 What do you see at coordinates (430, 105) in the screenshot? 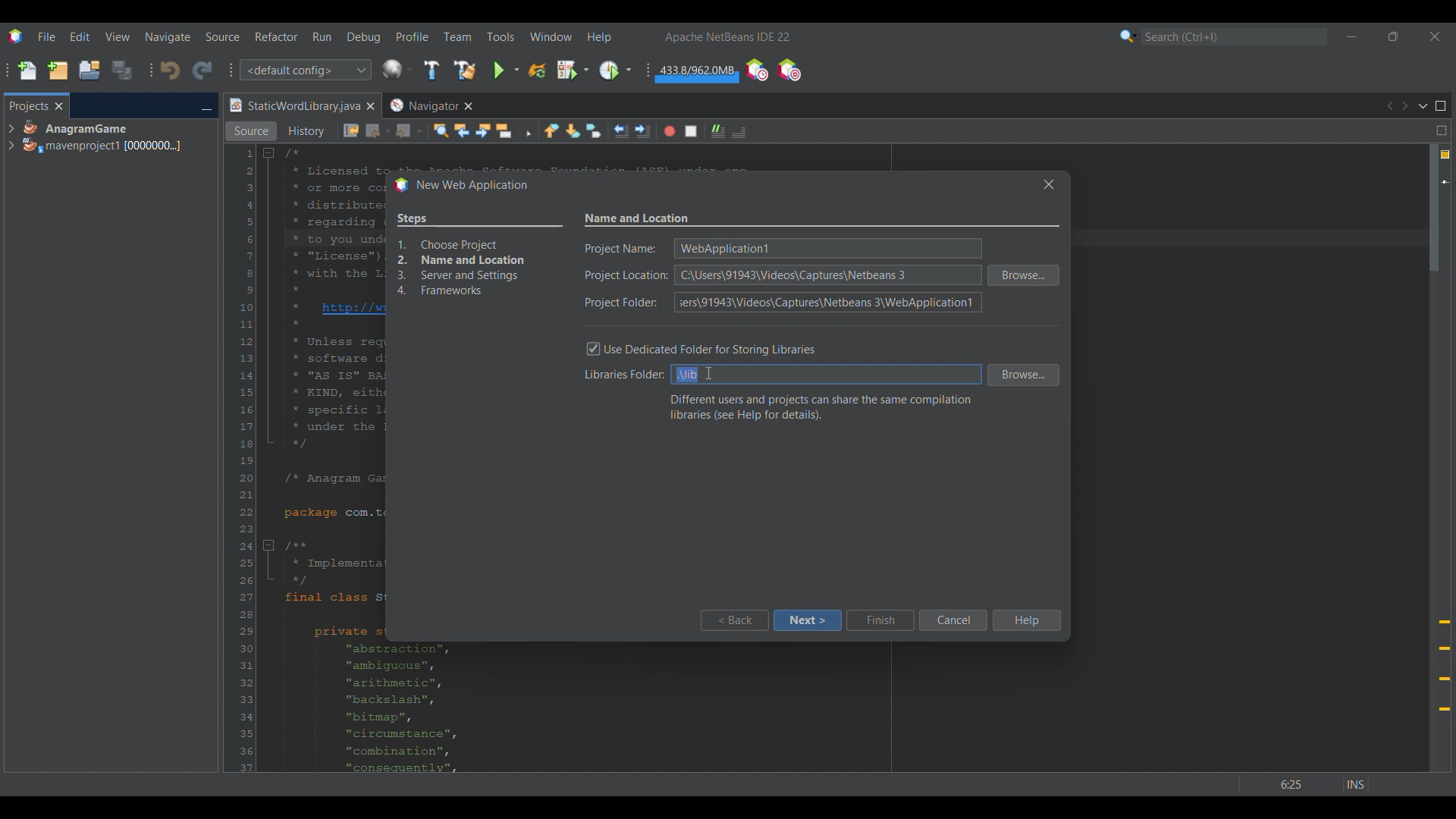
I see `Other tab` at bounding box center [430, 105].